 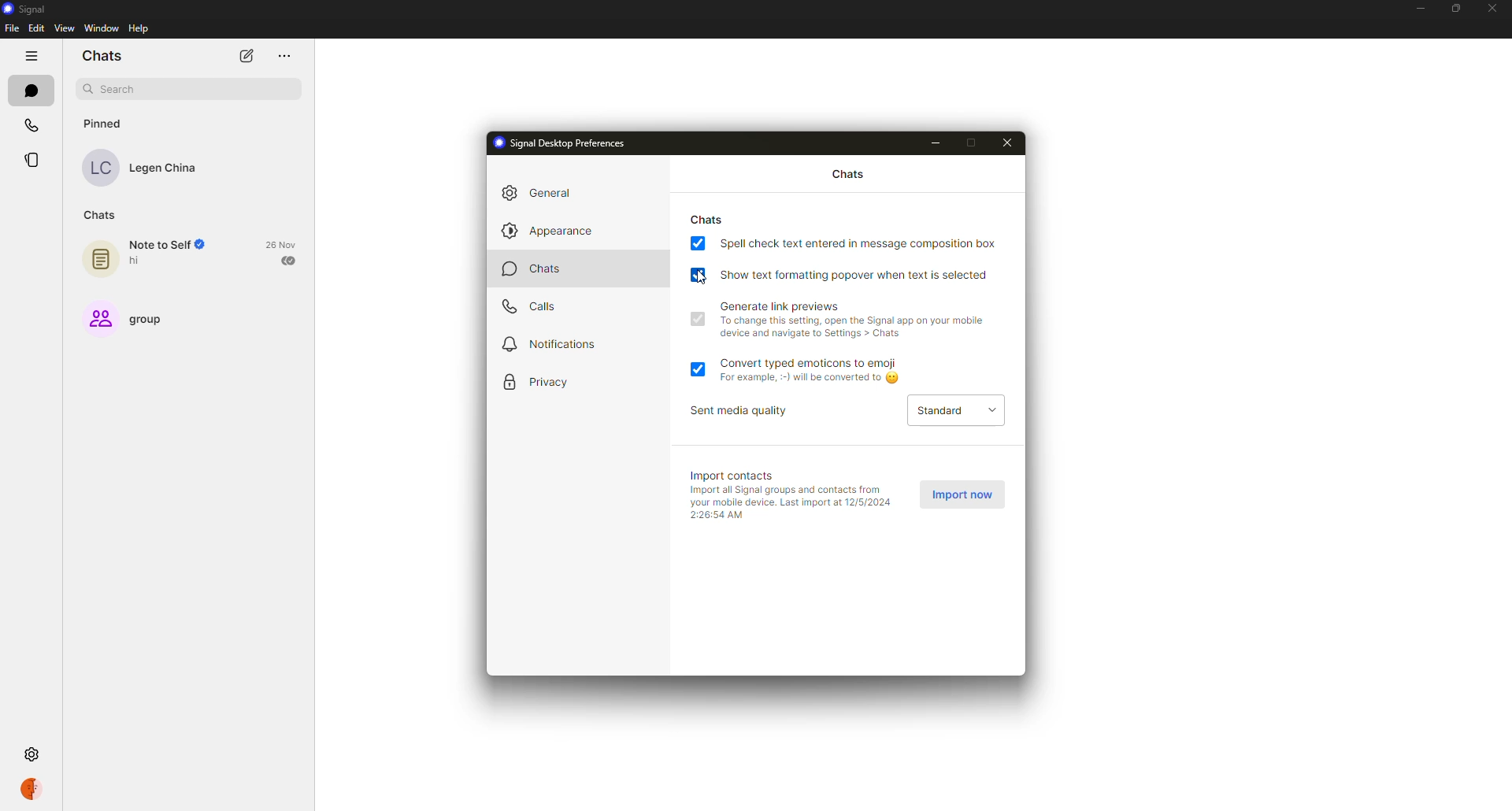 What do you see at coordinates (65, 28) in the screenshot?
I see `view` at bounding box center [65, 28].